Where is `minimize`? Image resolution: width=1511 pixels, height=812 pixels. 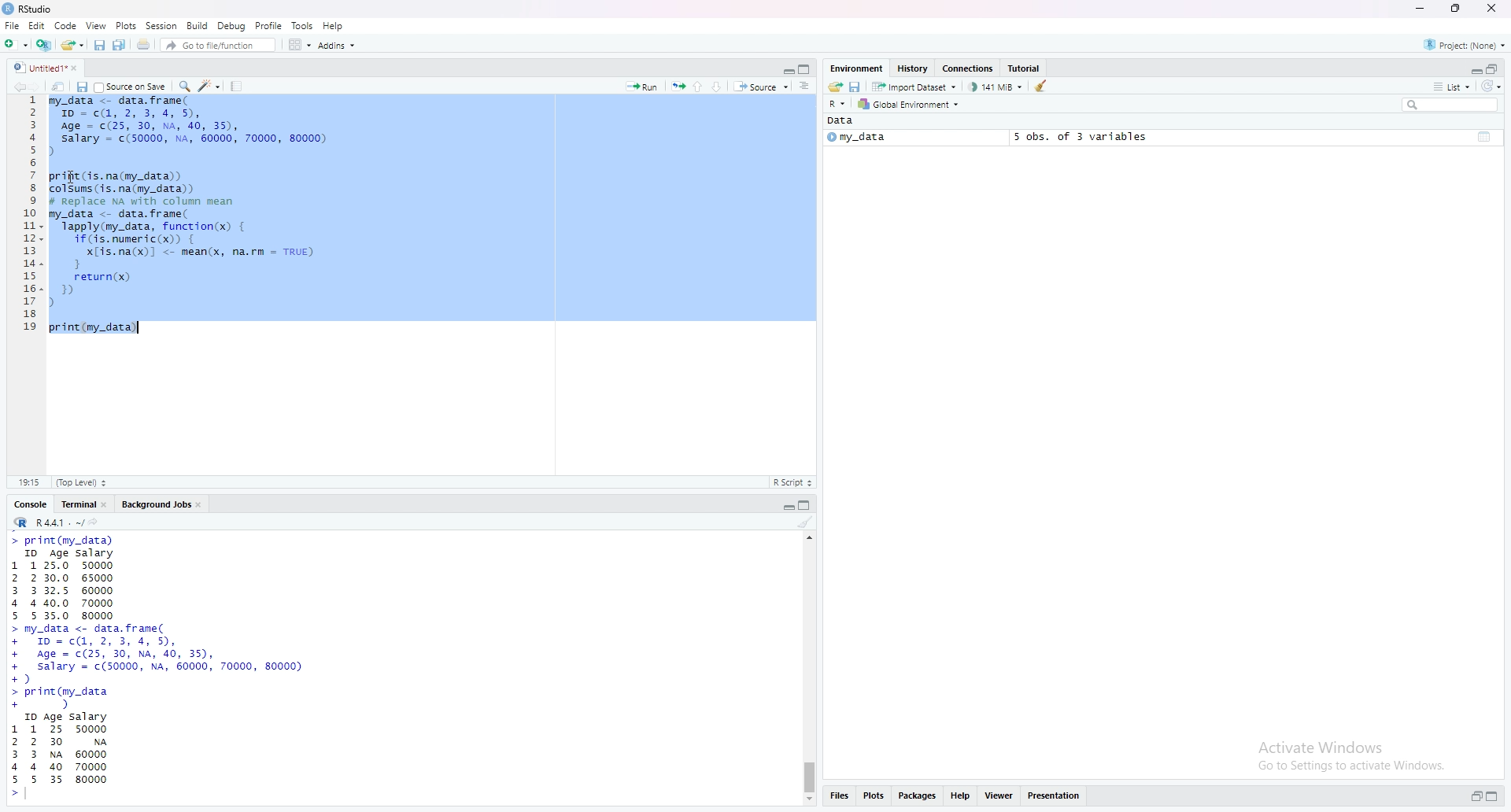 minimize is located at coordinates (1417, 9).